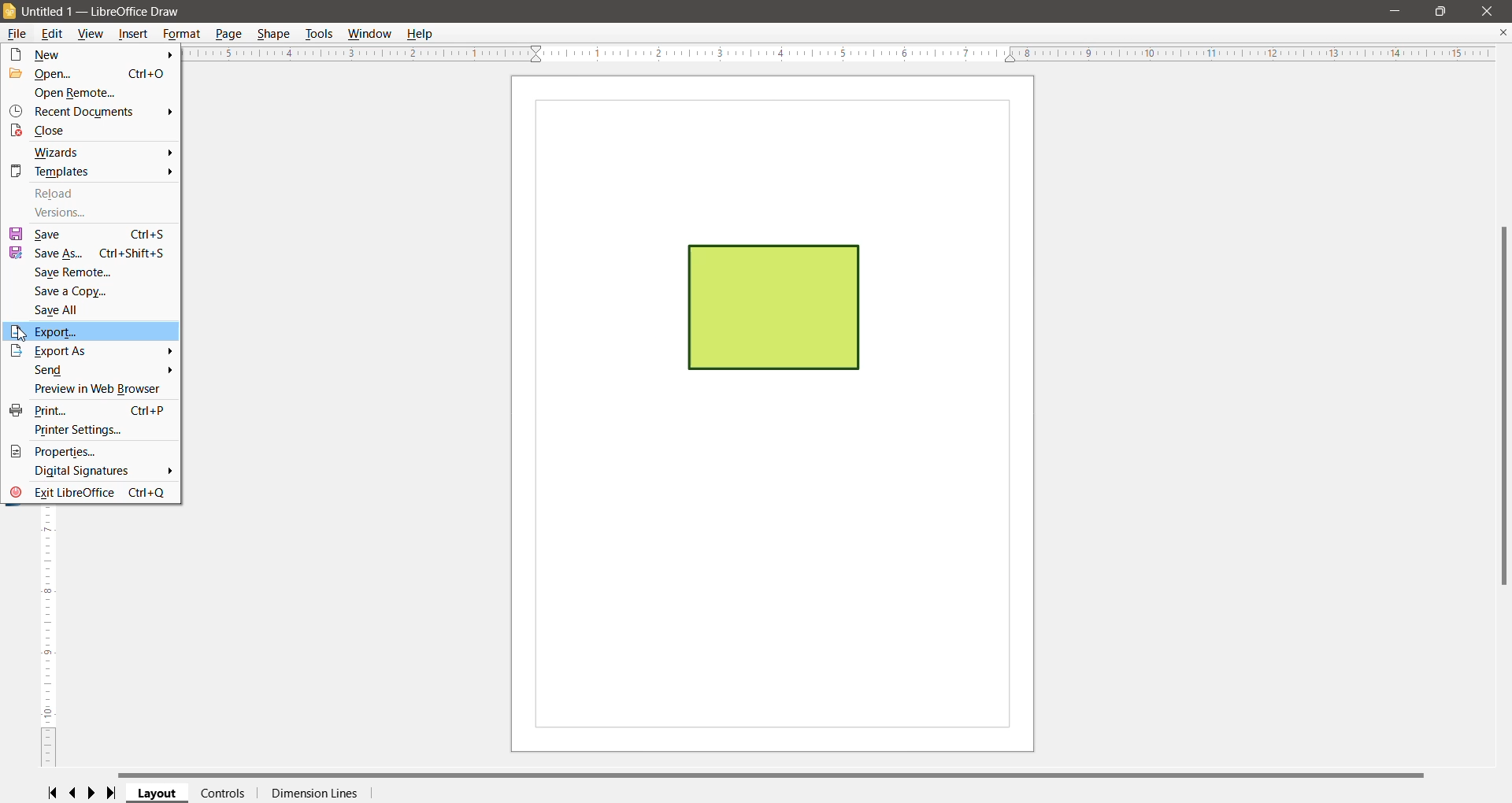  What do you see at coordinates (168, 471) in the screenshot?
I see `More Options` at bounding box center [168, 471].